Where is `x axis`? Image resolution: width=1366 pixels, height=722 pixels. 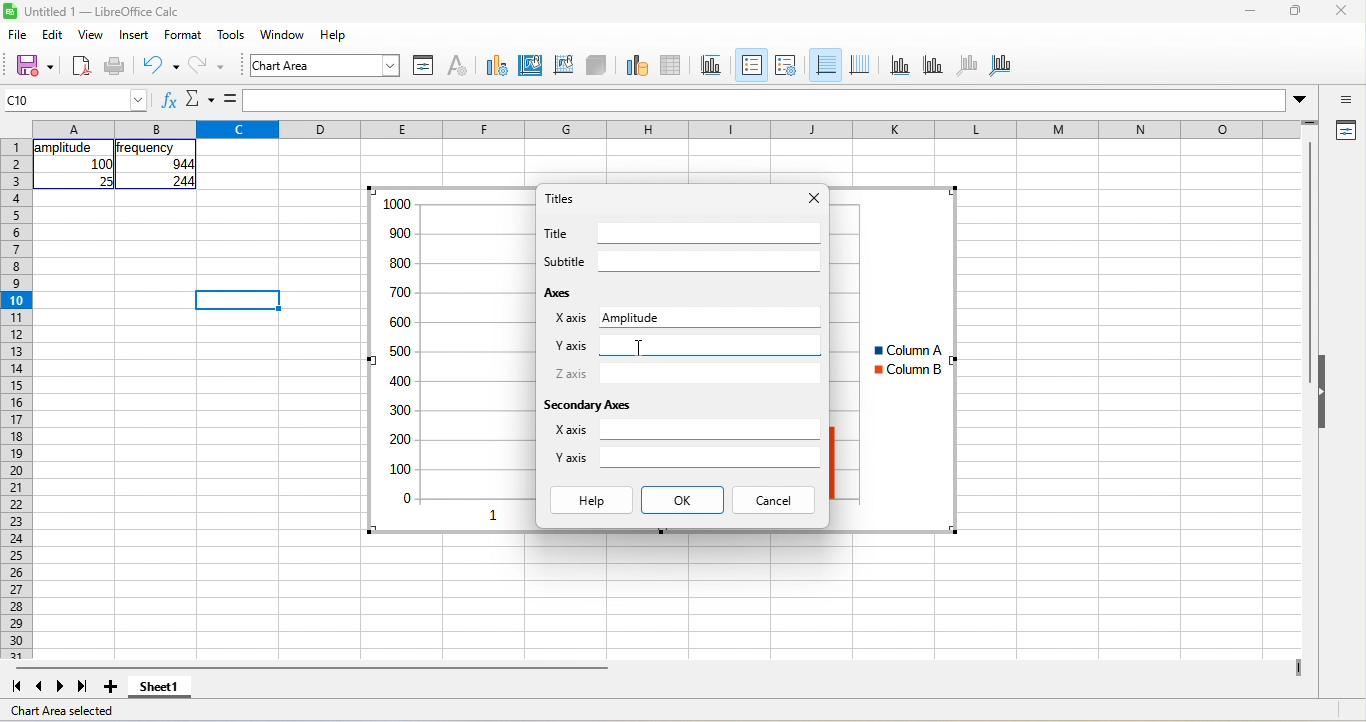
x axis is located at coordinates (900, 66).